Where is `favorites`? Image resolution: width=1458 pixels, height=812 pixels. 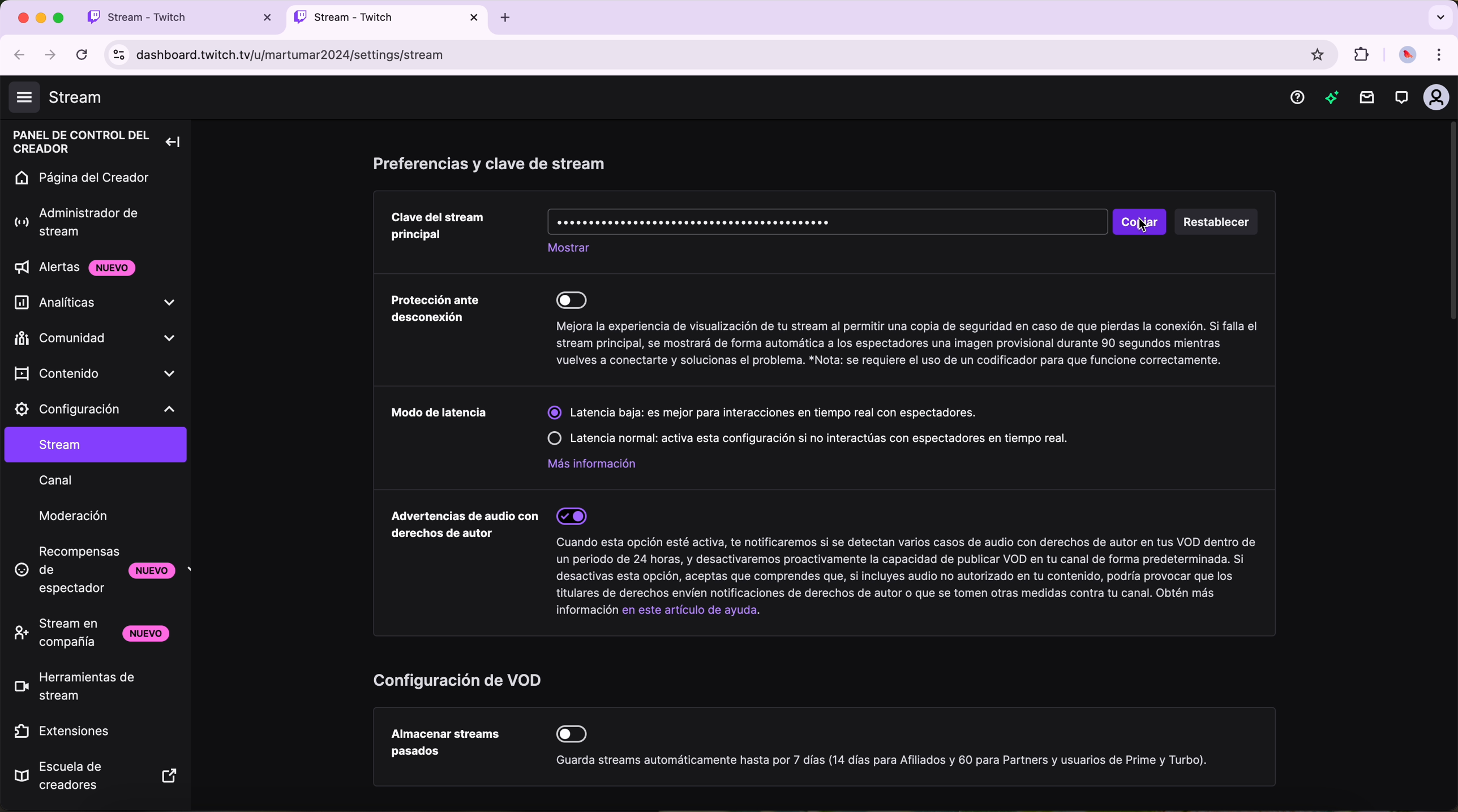 favorites is located at coordinates (1317, 54).